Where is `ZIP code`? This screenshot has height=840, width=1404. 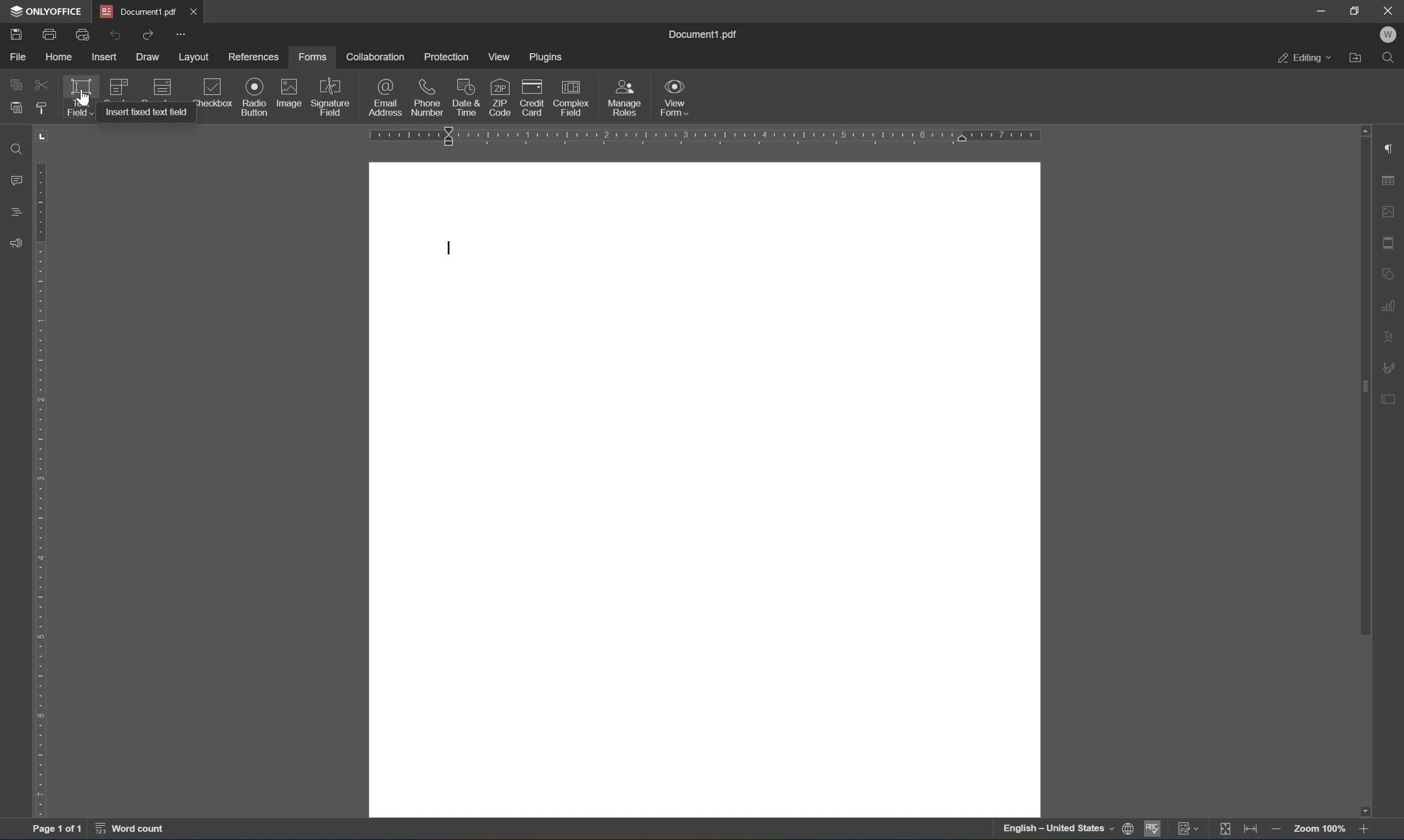 ZIP code is located at coordinates (499, 96).